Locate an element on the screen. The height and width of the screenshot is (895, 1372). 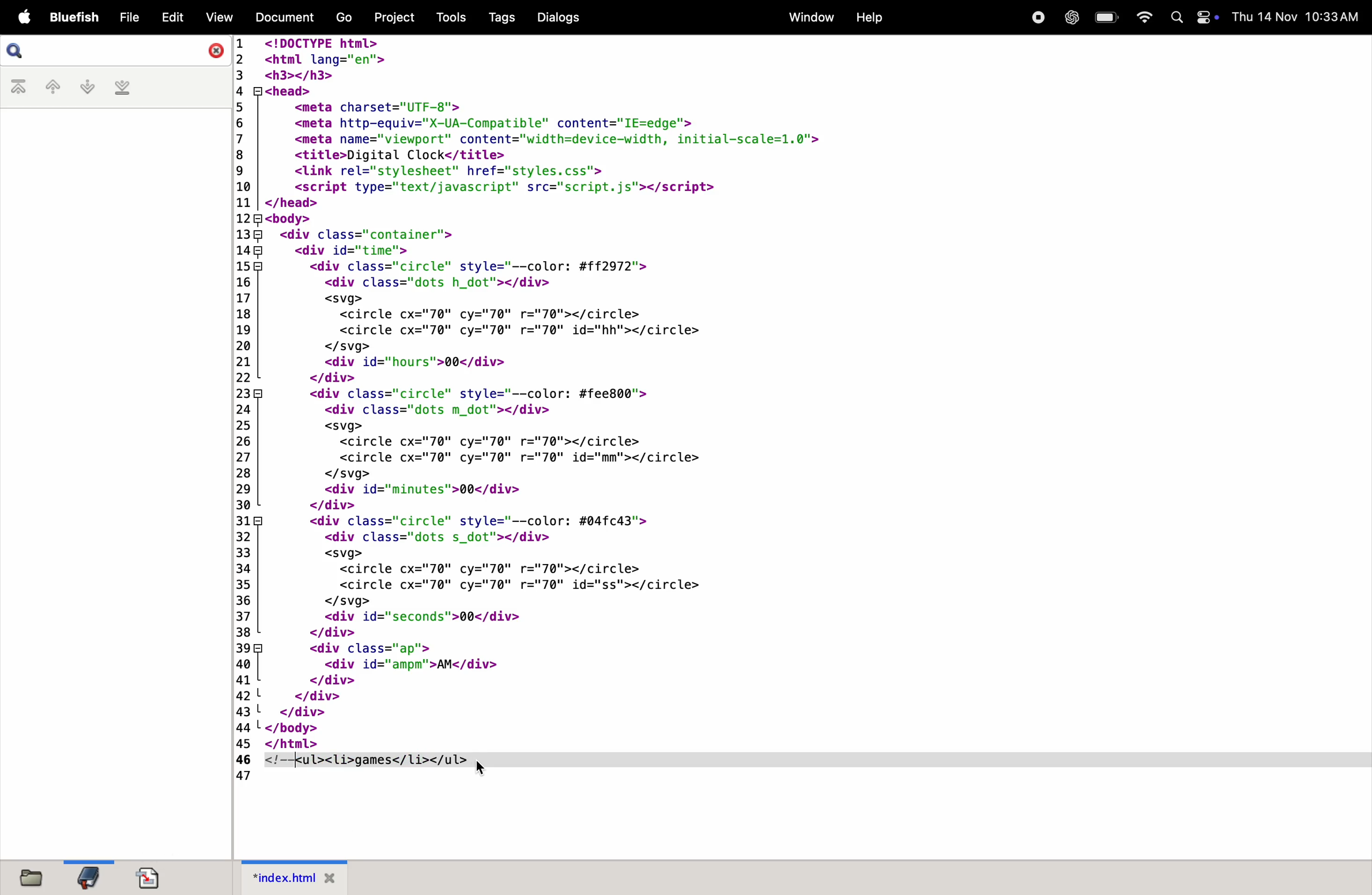
cursor is located at coordinates (295, 763).